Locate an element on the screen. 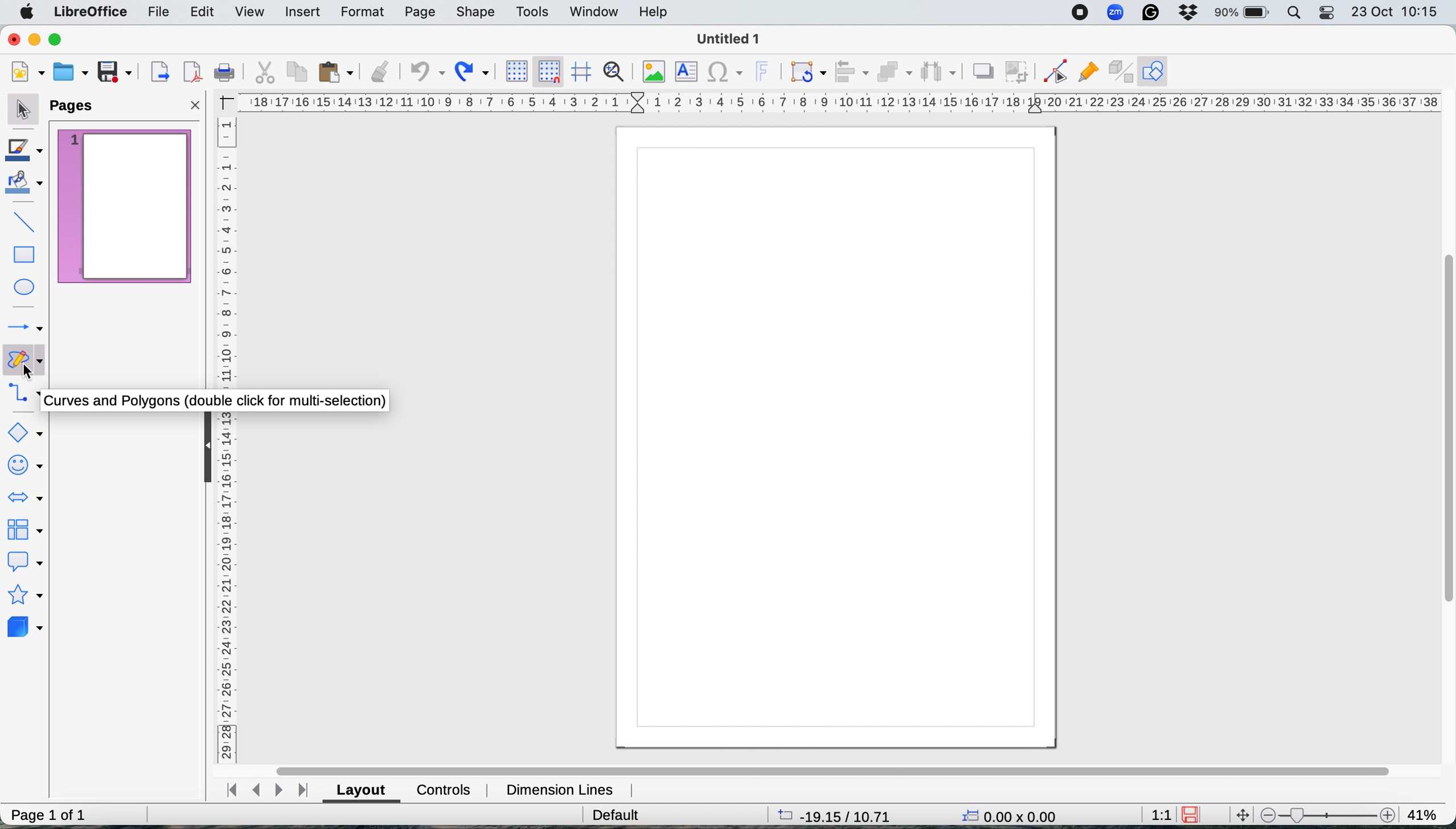  file name is located at coordinates (736, 38).